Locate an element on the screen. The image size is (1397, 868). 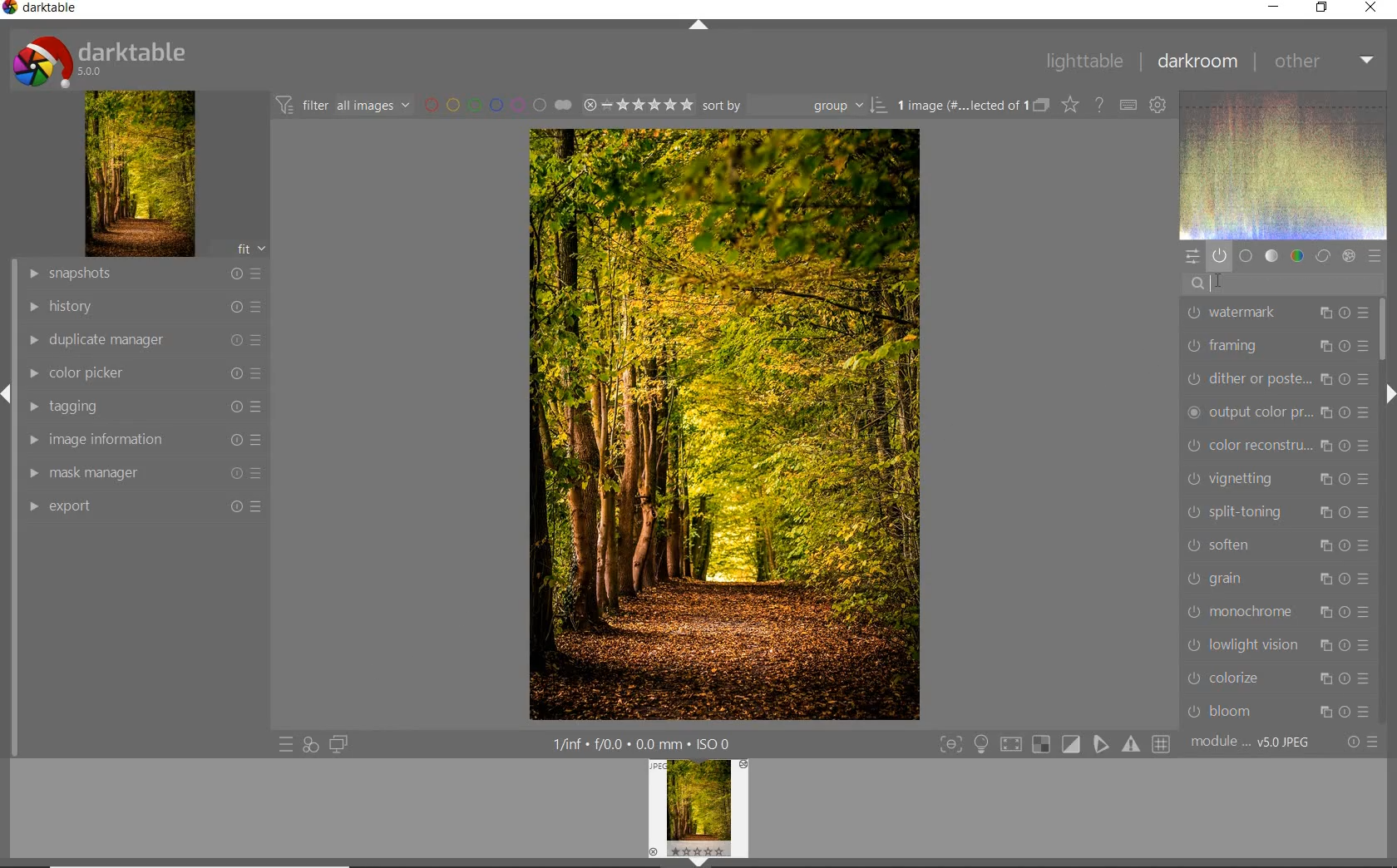
search module is located at coordinates (1281, 287).